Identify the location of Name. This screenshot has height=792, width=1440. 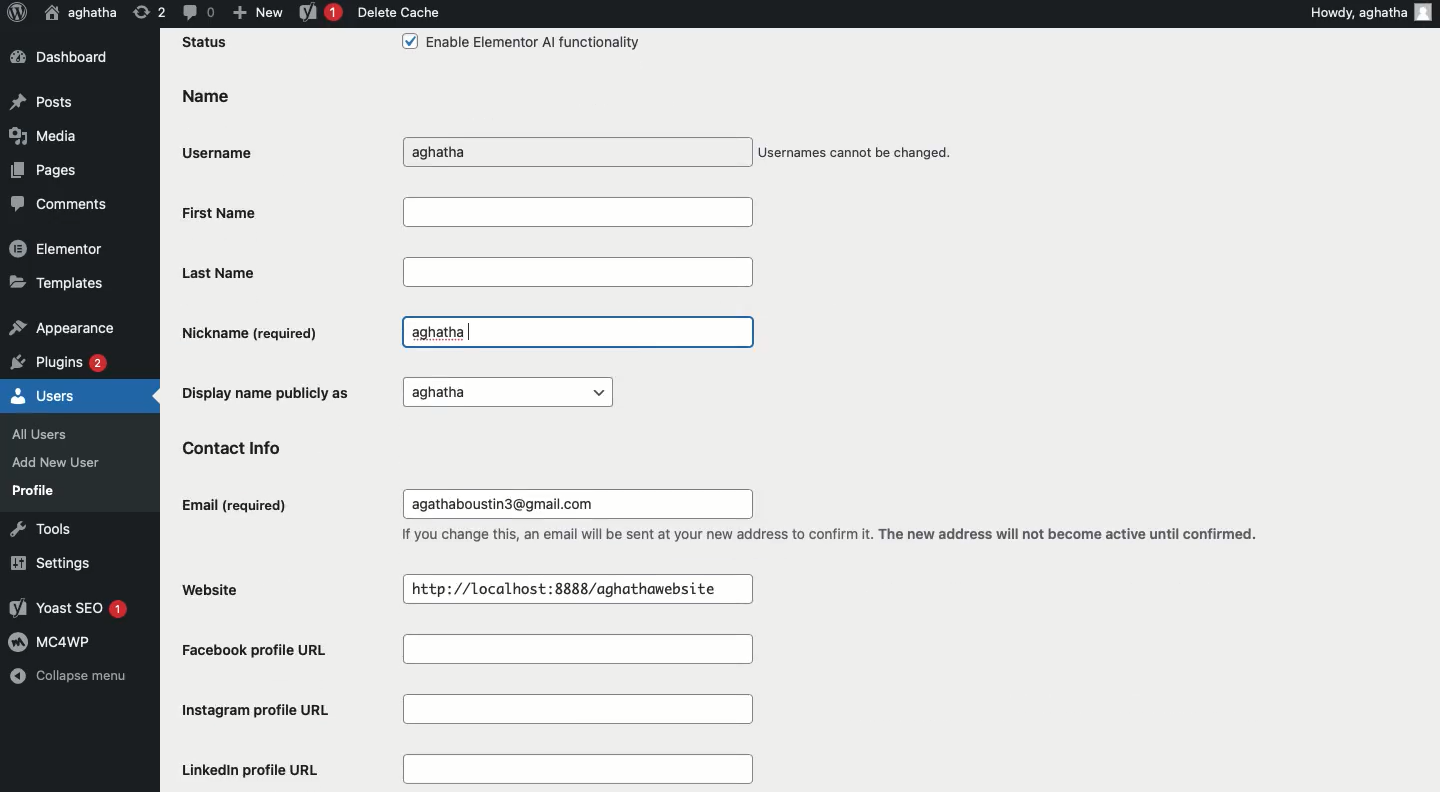
(204, 97).